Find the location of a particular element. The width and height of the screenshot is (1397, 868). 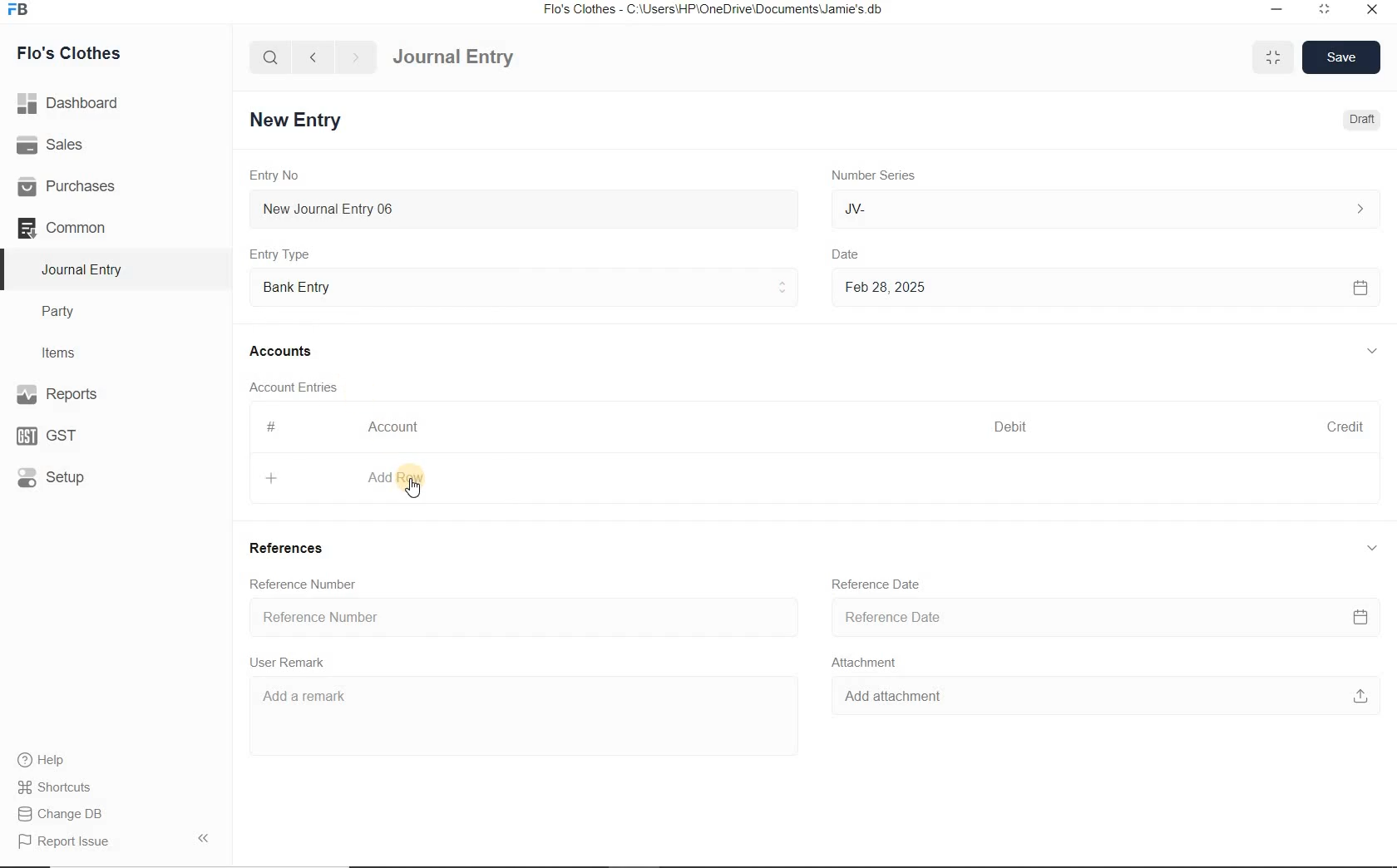

Entry Type is located at coordinates (525, 285).